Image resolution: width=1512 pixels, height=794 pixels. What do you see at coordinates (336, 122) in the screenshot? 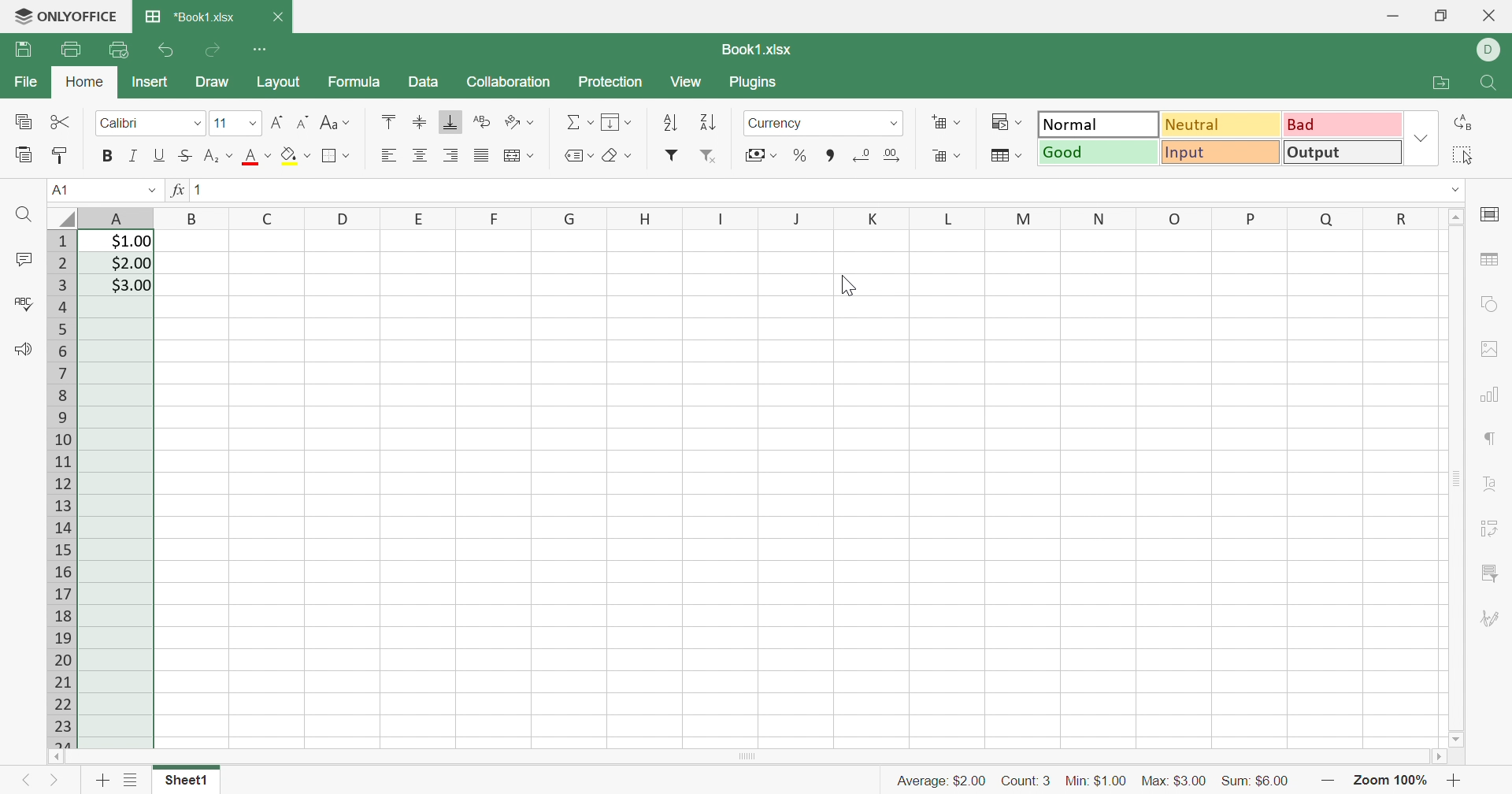
I see `Change case` at bounding box center [336, 122].